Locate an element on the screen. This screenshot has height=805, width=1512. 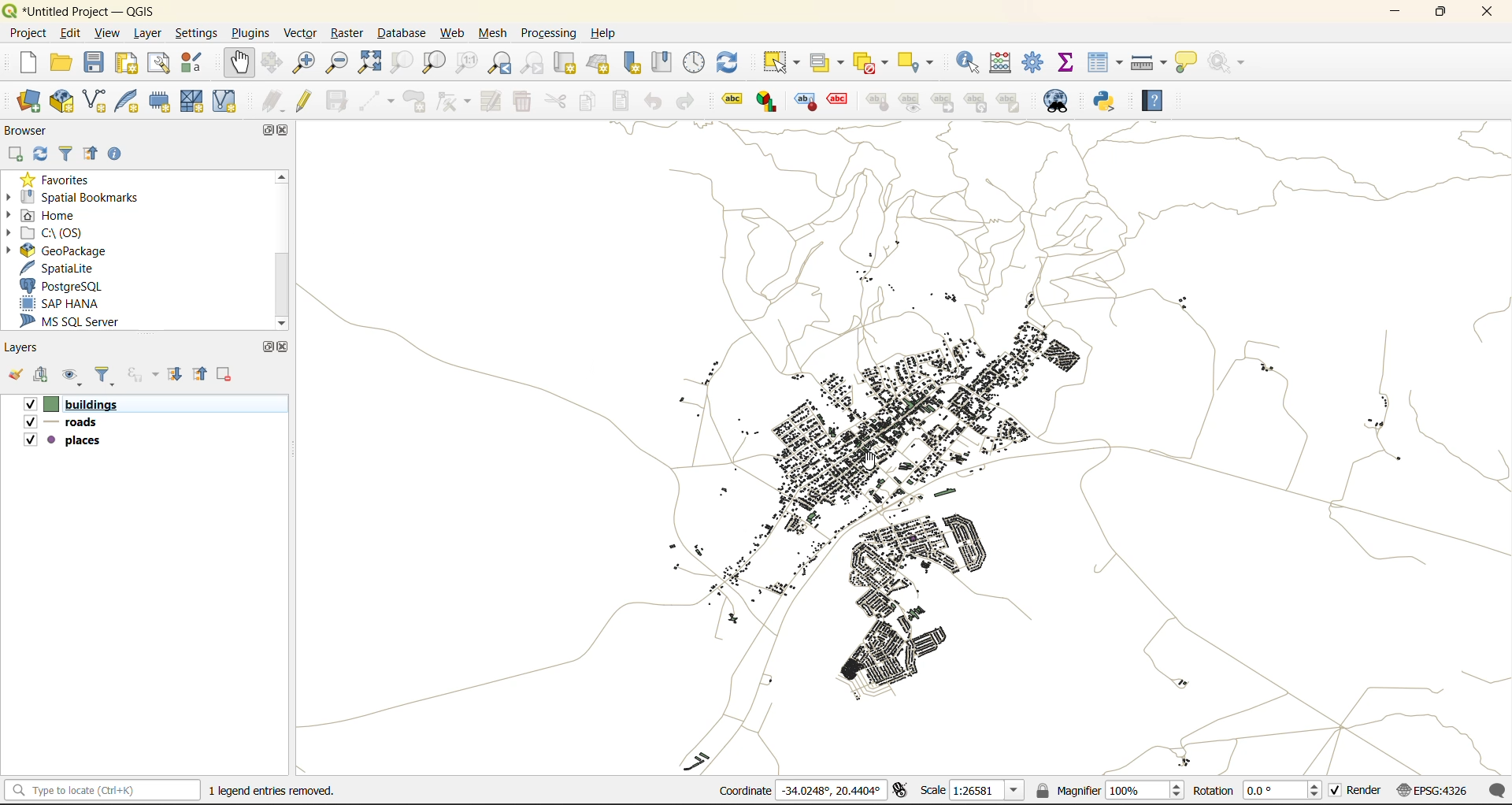
zoom layer is located at coordinates (433, 63).